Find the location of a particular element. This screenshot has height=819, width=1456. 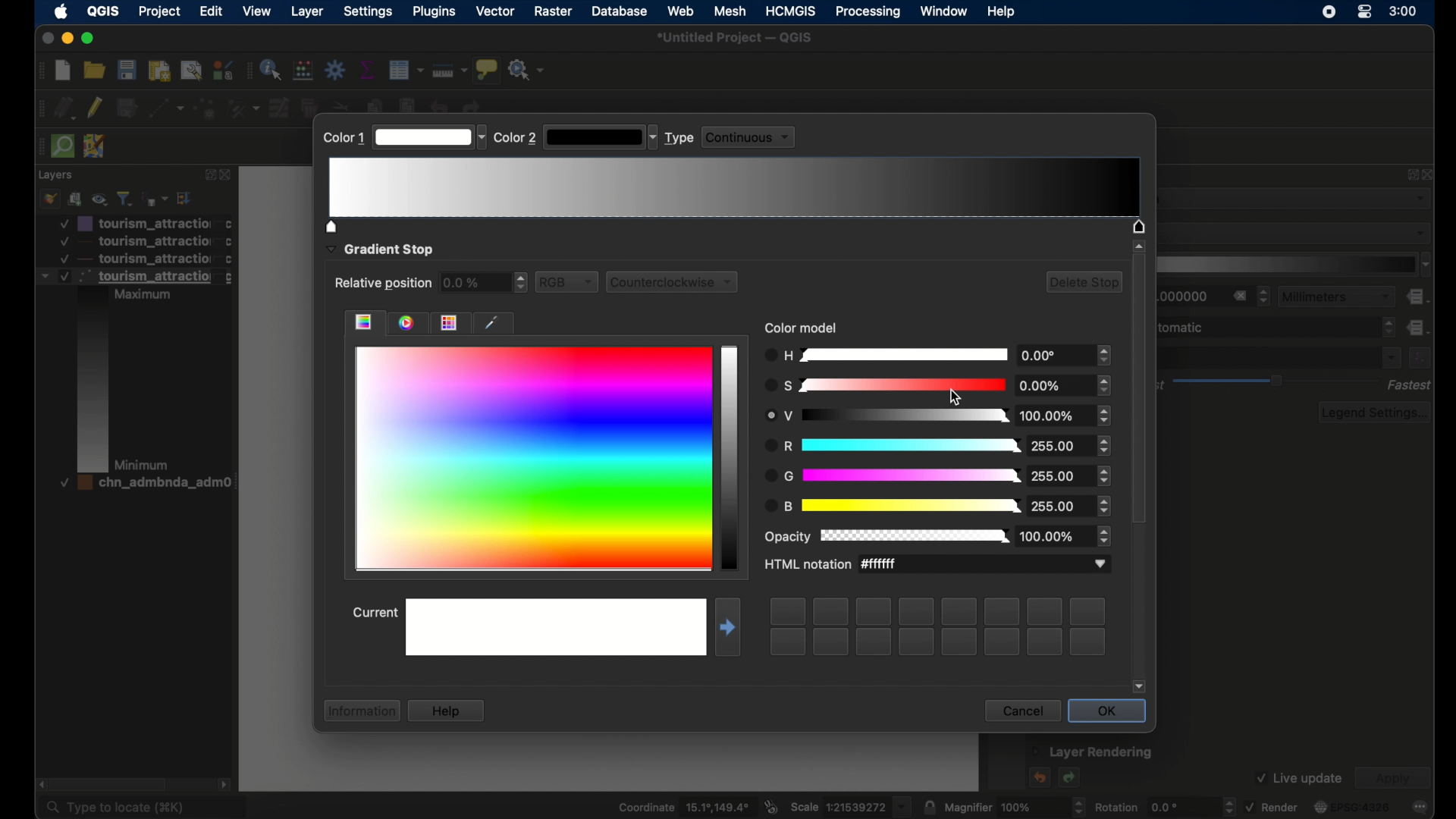

H is located at coordinates (937, 356).